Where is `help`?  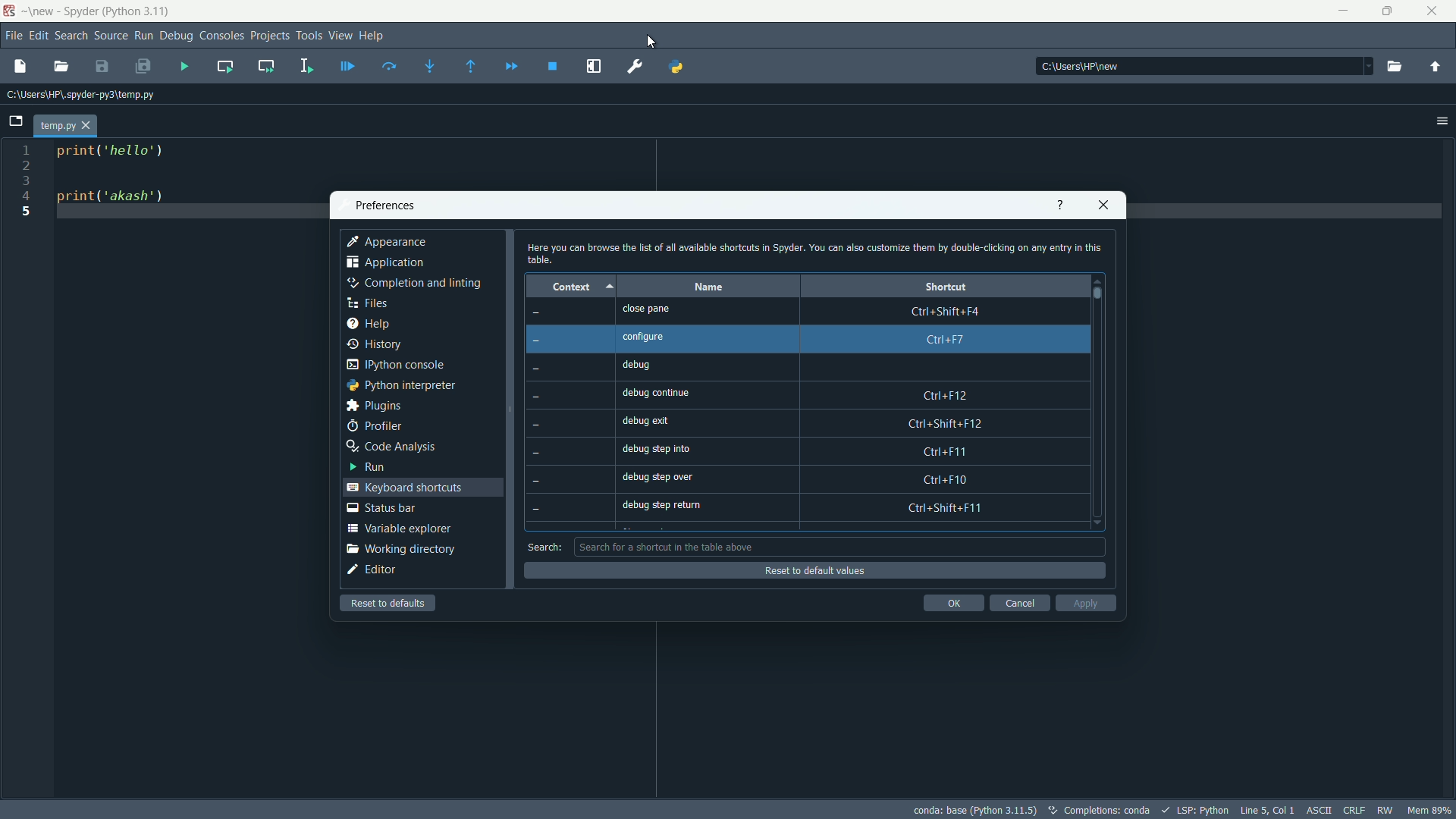 help is located at coordinates (367, 325).